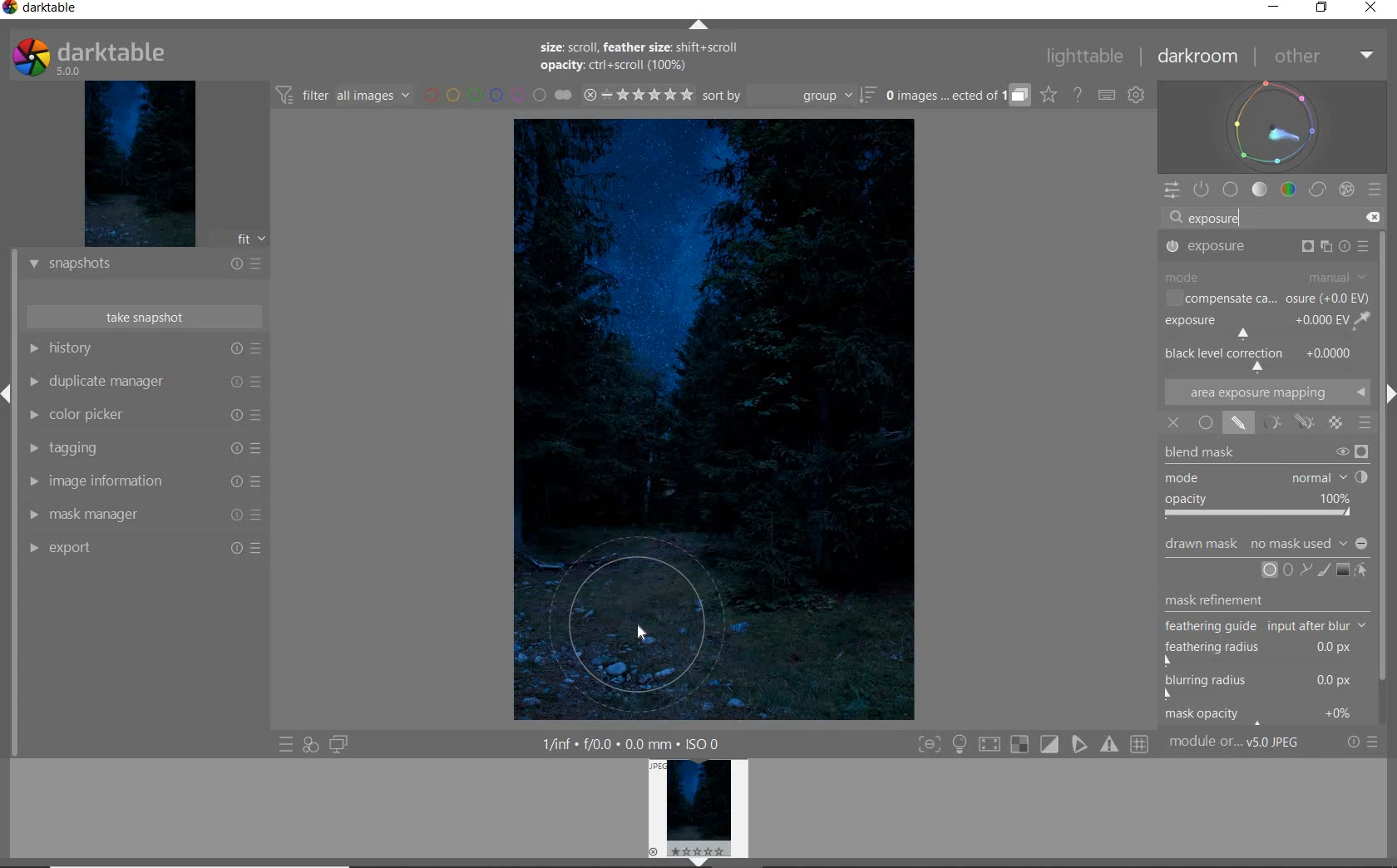 The image size is (1397, 868). Describe the element at coordinates (1347, 190) in the screenshot. I see `EFFECT` at that location.